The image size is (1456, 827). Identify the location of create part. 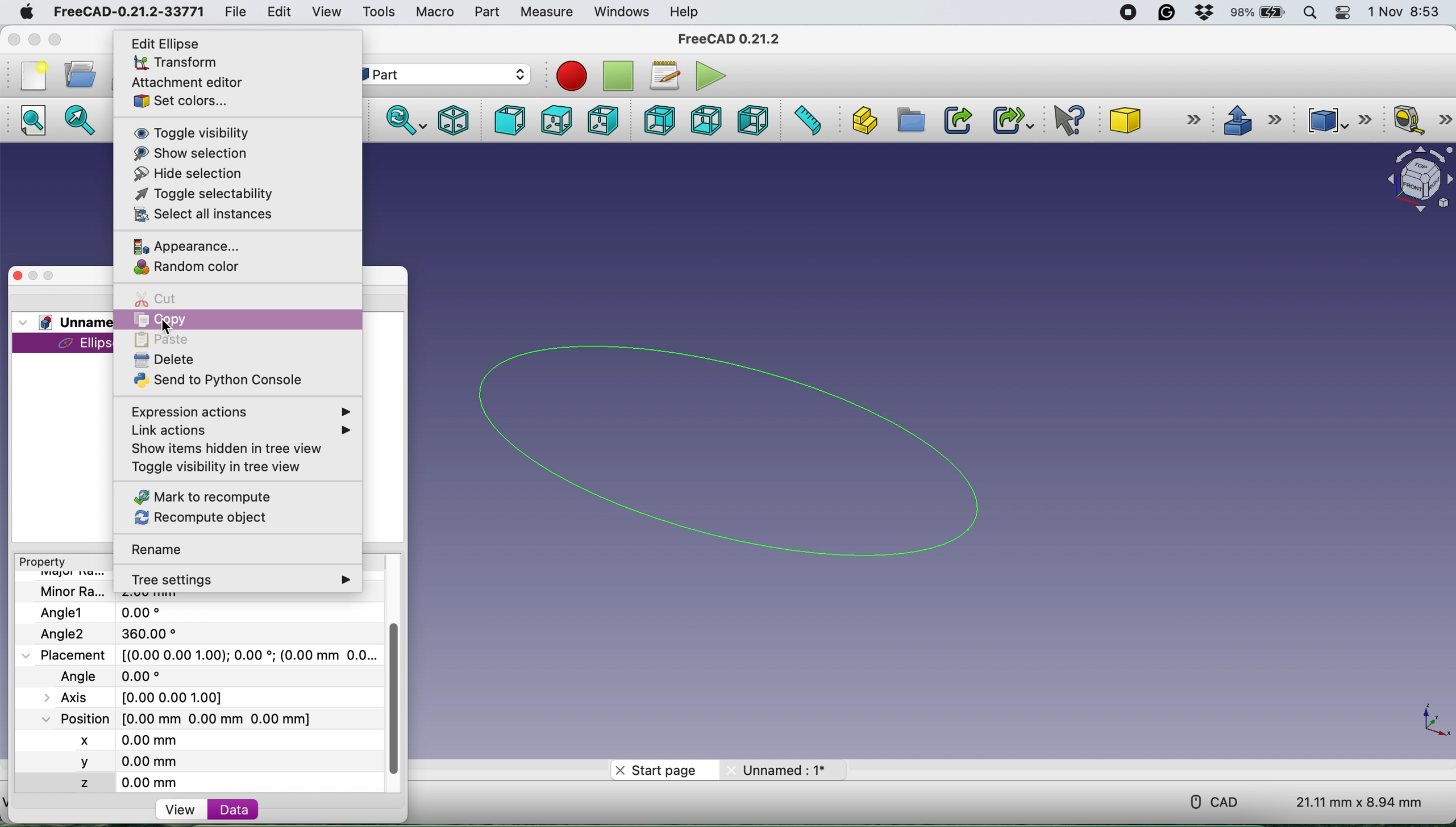
(860, 121).